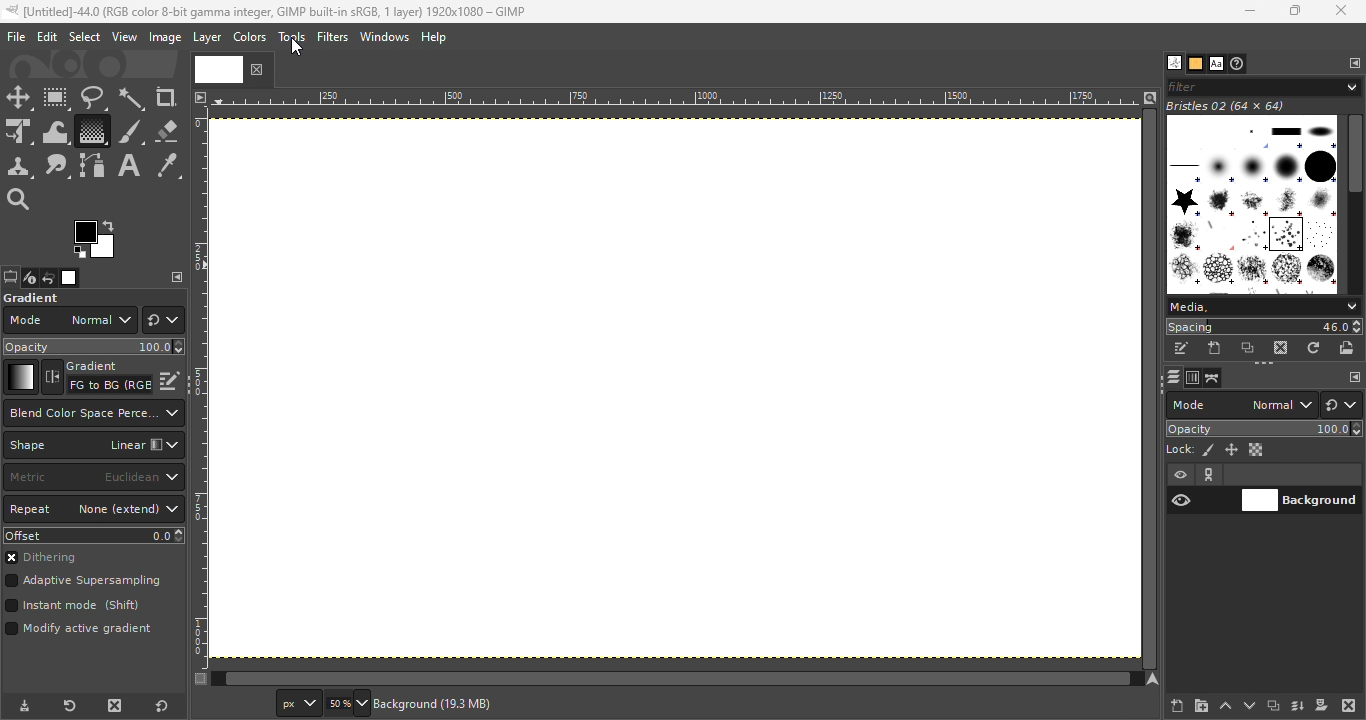  What do you see at coordinates (1230, 449) in the screenshot?
I see `Lock position and size` at bounding box center [1230, 449].